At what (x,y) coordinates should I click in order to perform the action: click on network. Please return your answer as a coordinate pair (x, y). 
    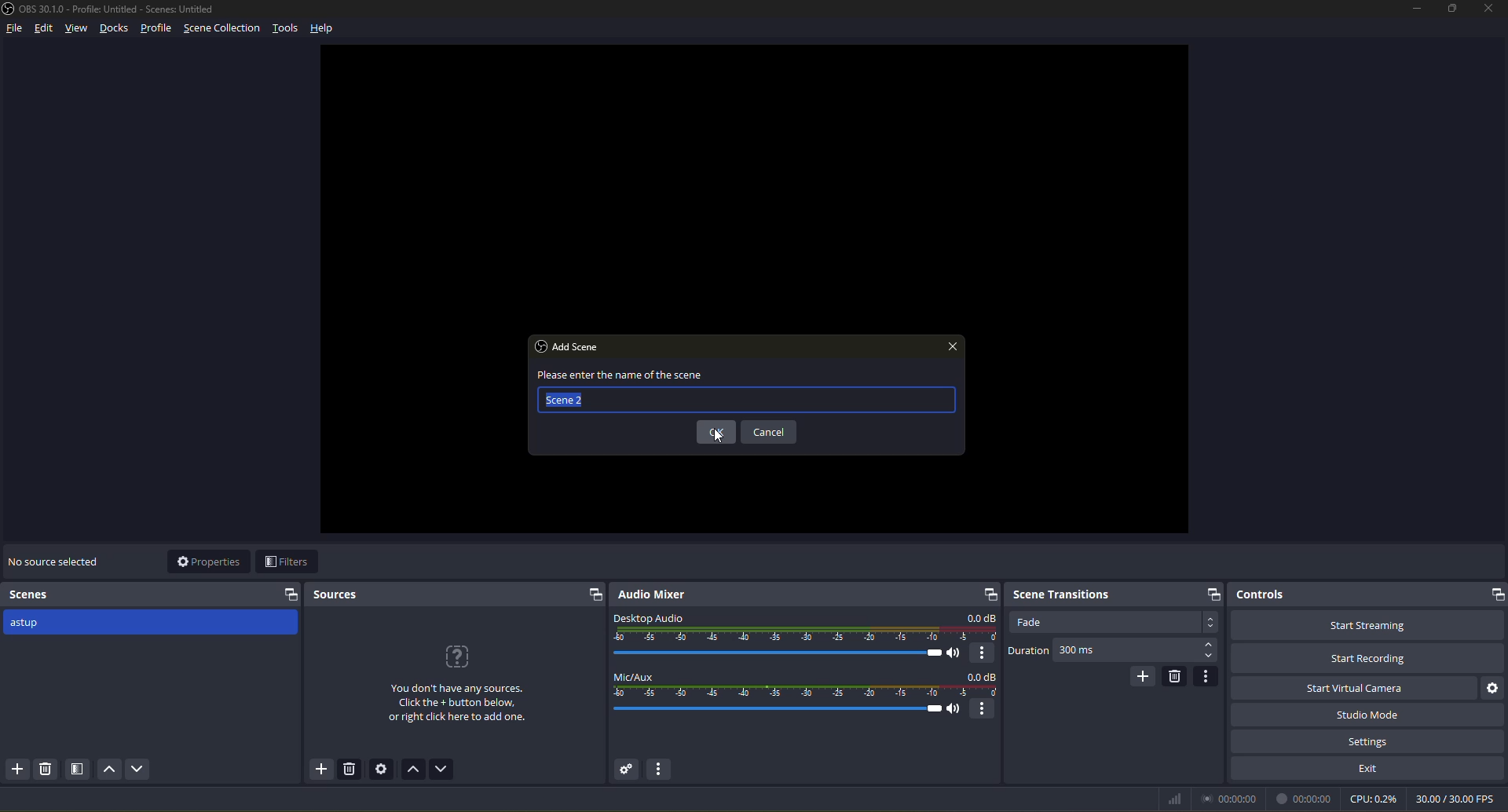
    Looking at the image, I should click on (1175, 799).